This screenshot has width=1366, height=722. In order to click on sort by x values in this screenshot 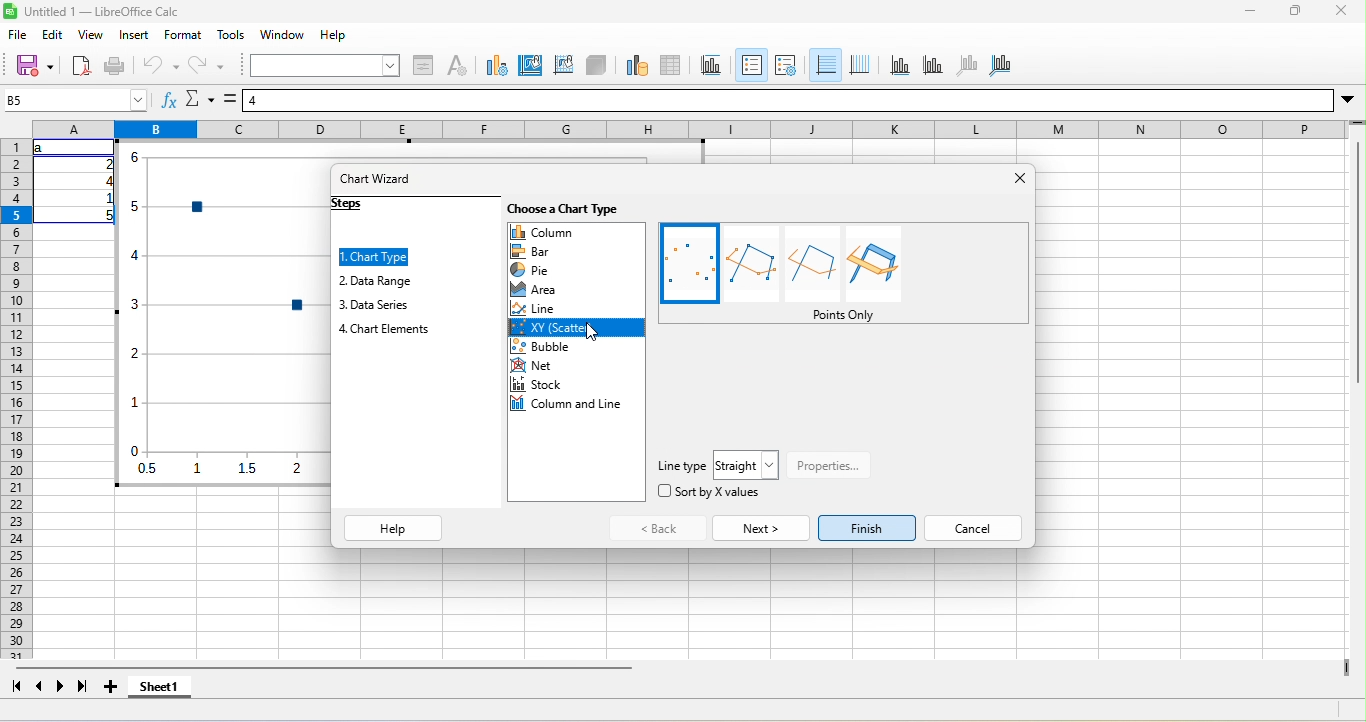, I will do `click(709, 491)`.